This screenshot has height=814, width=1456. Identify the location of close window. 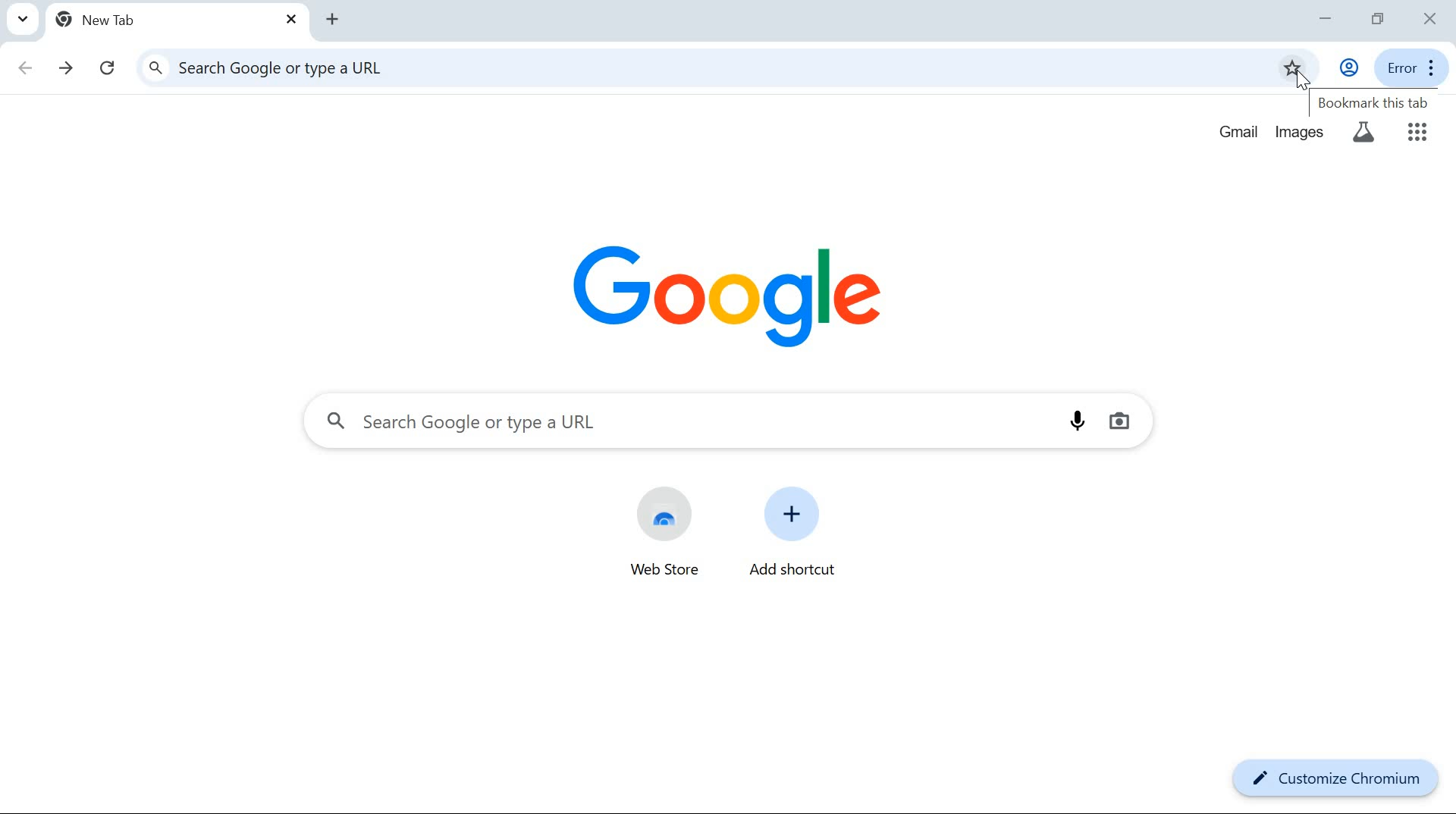
(1430, 19).